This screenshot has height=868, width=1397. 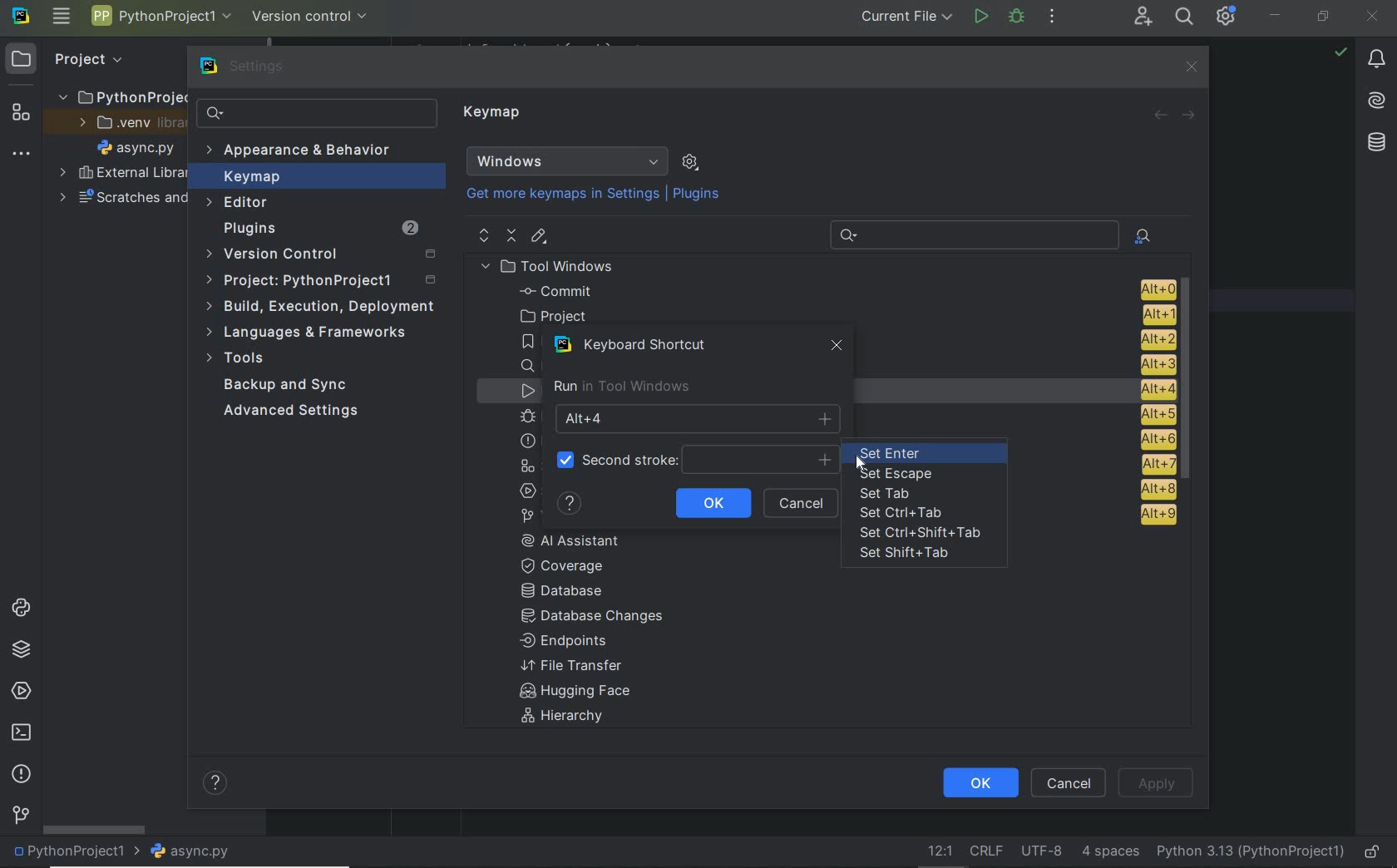 I want to click on Debug, so click(x=1017, y=17).